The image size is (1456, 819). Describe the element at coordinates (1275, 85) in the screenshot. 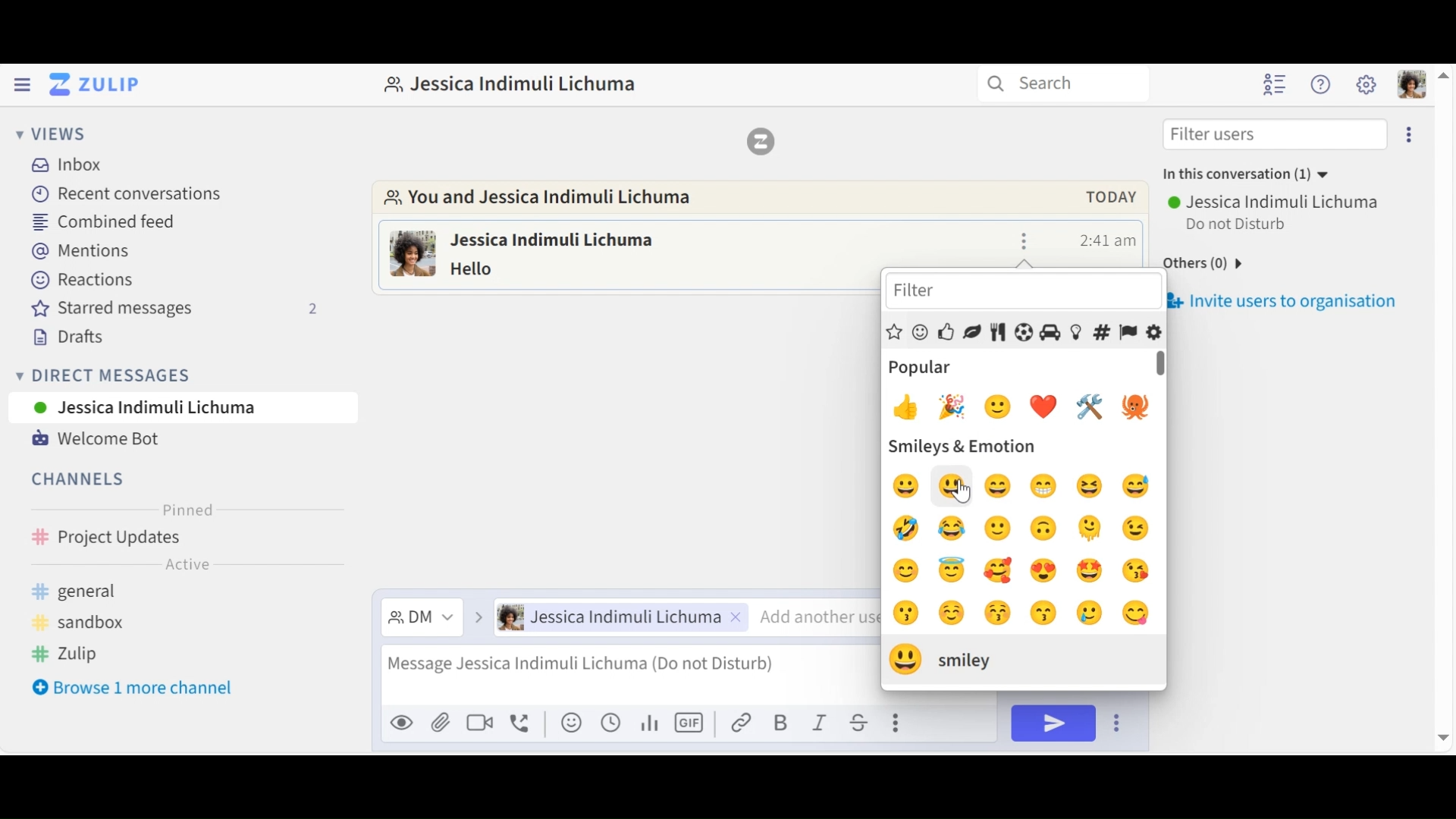

I see `Hide user list` at that location.